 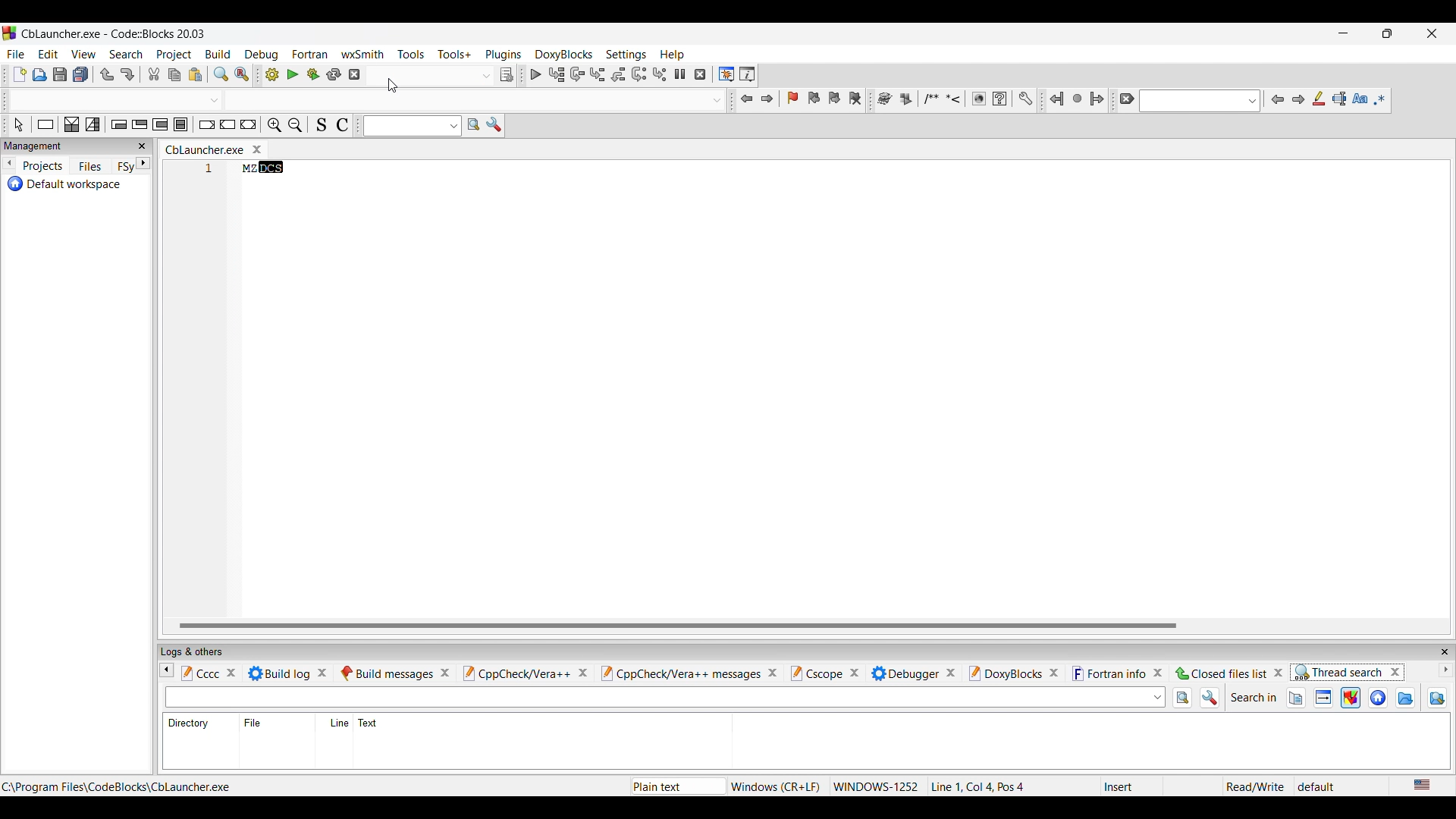 I want to click on Show options window, so click(x=494, y=124).